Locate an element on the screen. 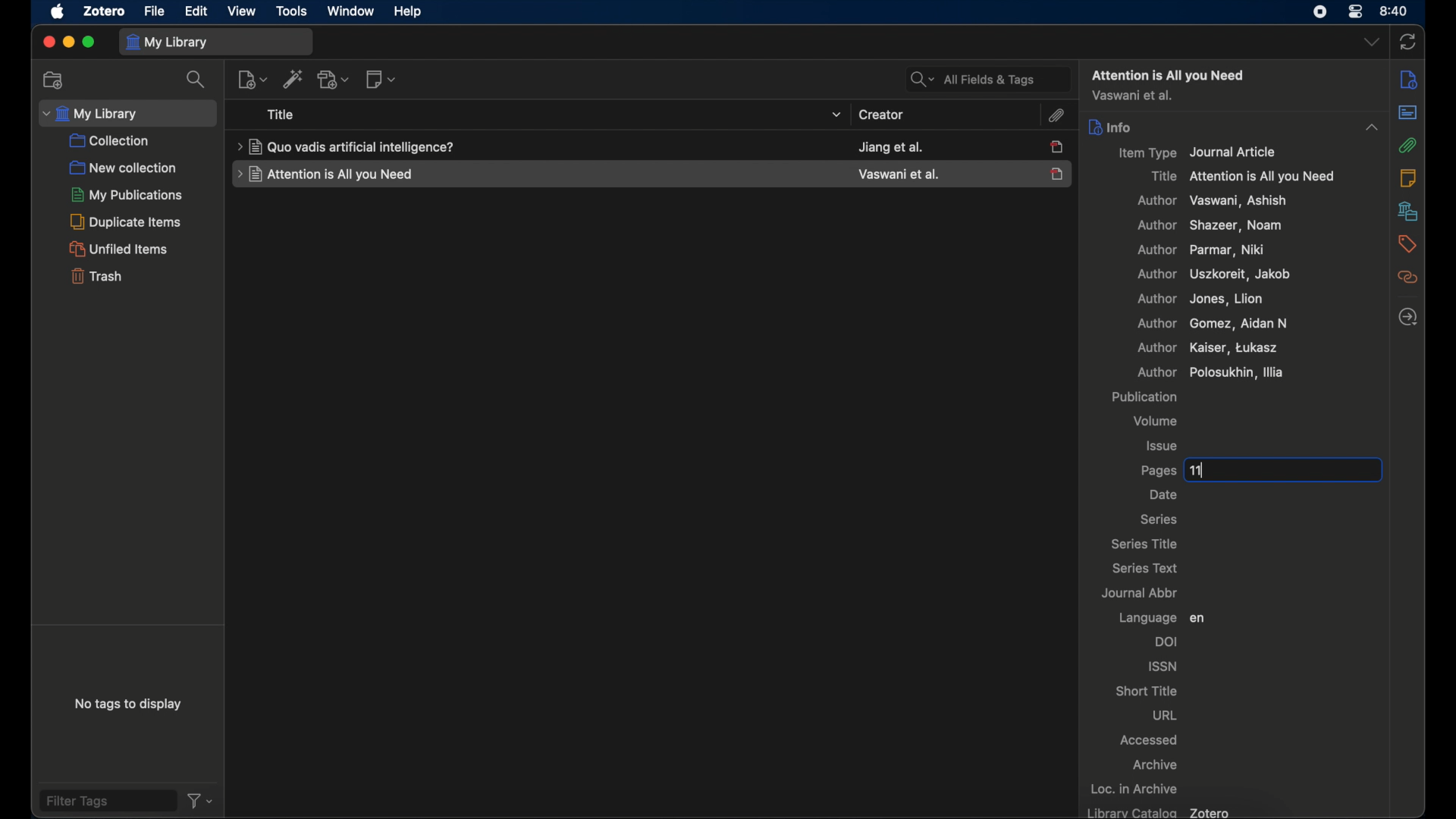 The image size is (1456, 819). date is located at coordinates (1164, 495).